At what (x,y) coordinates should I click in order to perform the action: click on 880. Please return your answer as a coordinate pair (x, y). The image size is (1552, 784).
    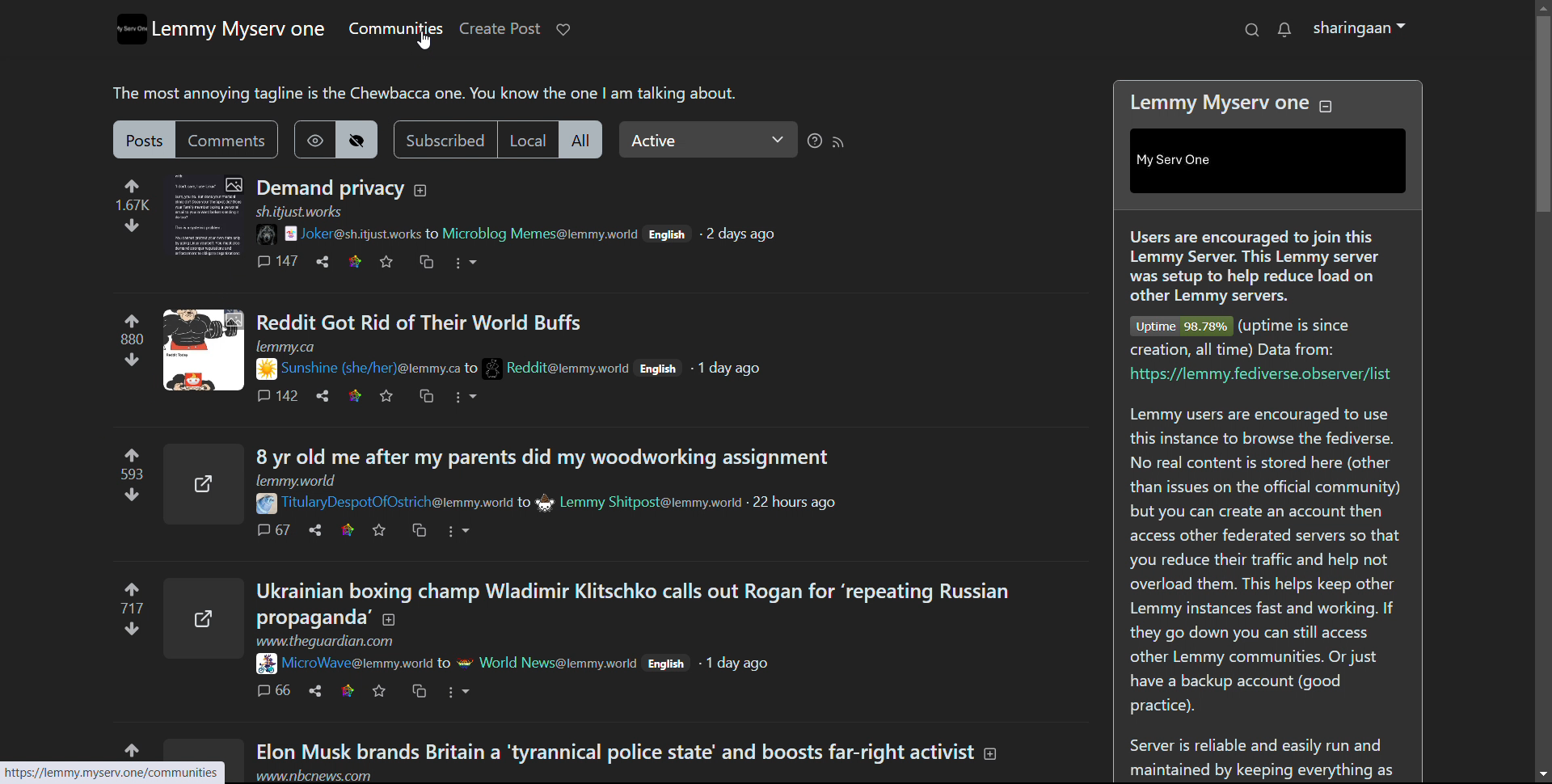
    Looking at the image, I should click on (132, 339).